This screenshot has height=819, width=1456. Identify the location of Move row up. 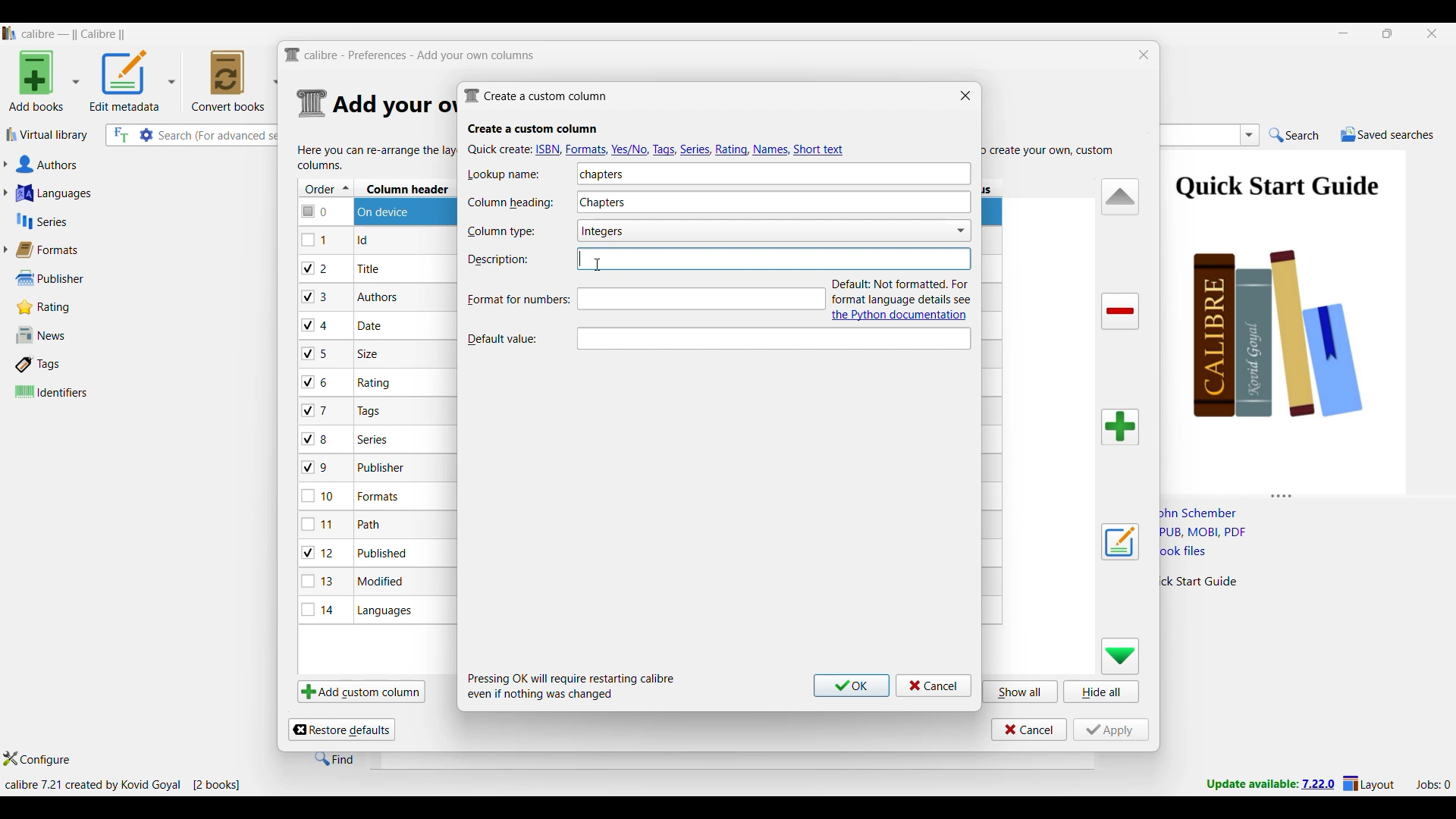
(1121, 196).